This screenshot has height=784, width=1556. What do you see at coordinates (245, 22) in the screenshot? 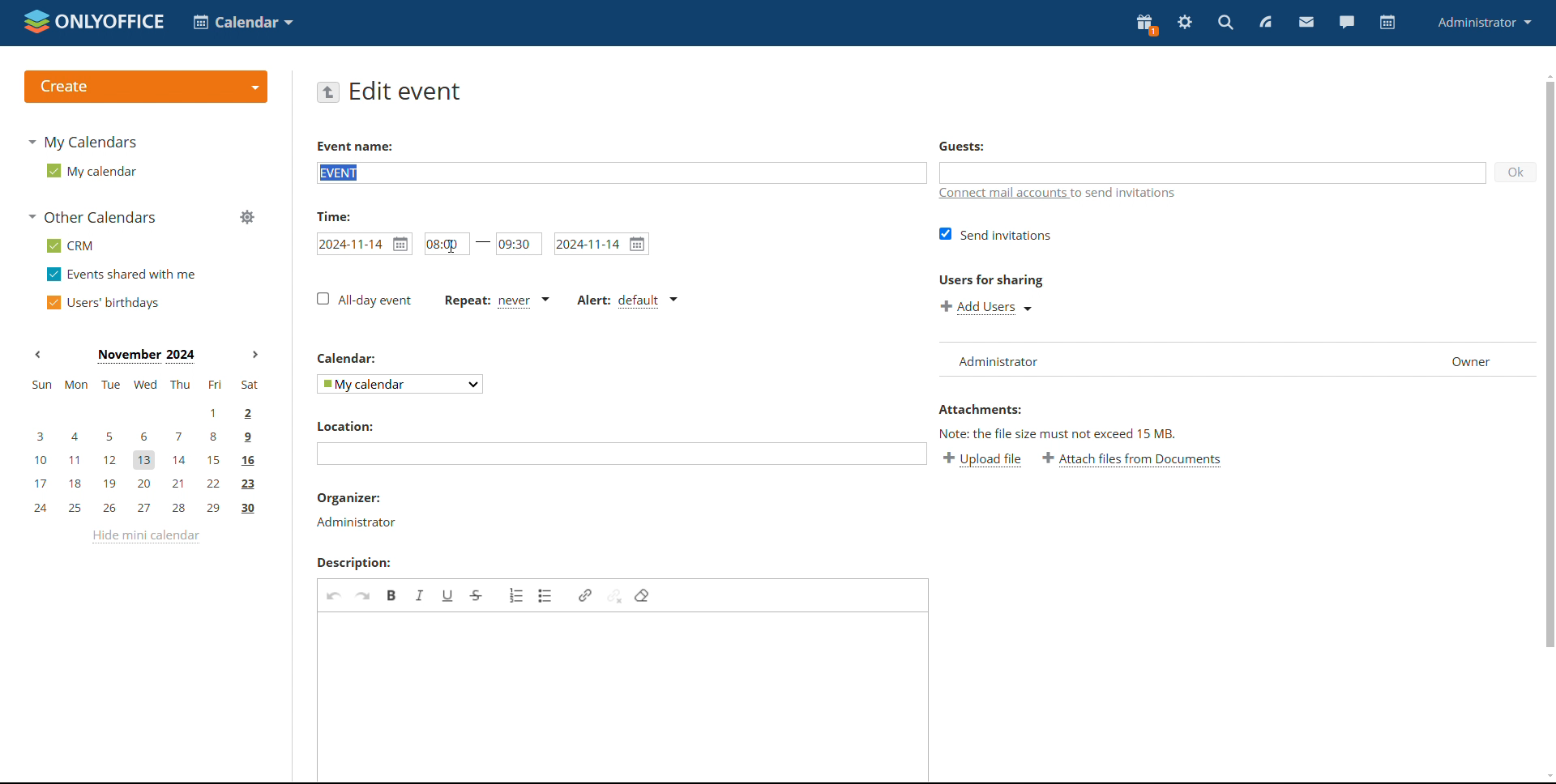
I see `select application` at bounding box center [245, 22].